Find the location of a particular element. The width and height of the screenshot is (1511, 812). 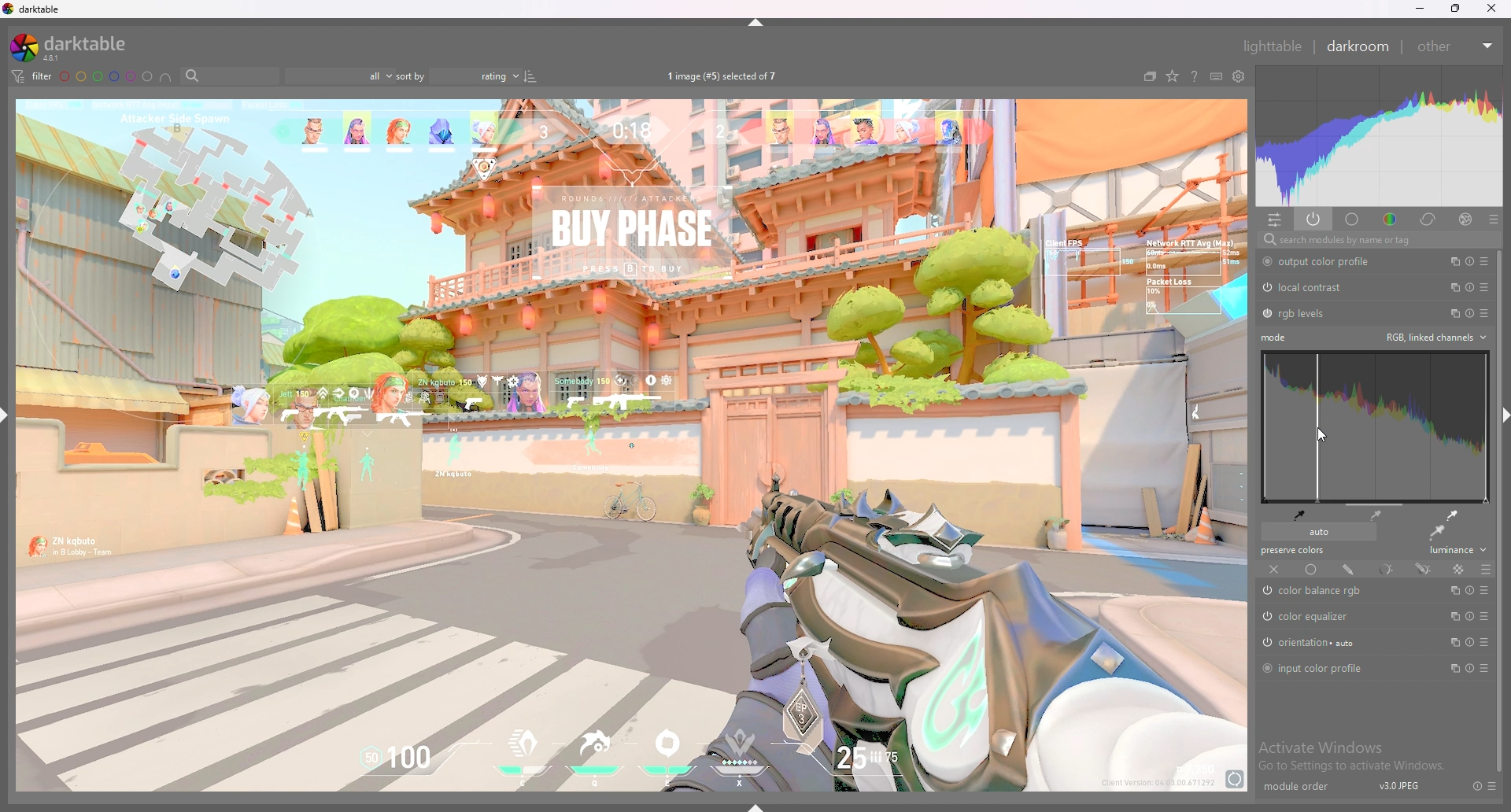

black point is located at coordinates (1299, 514).